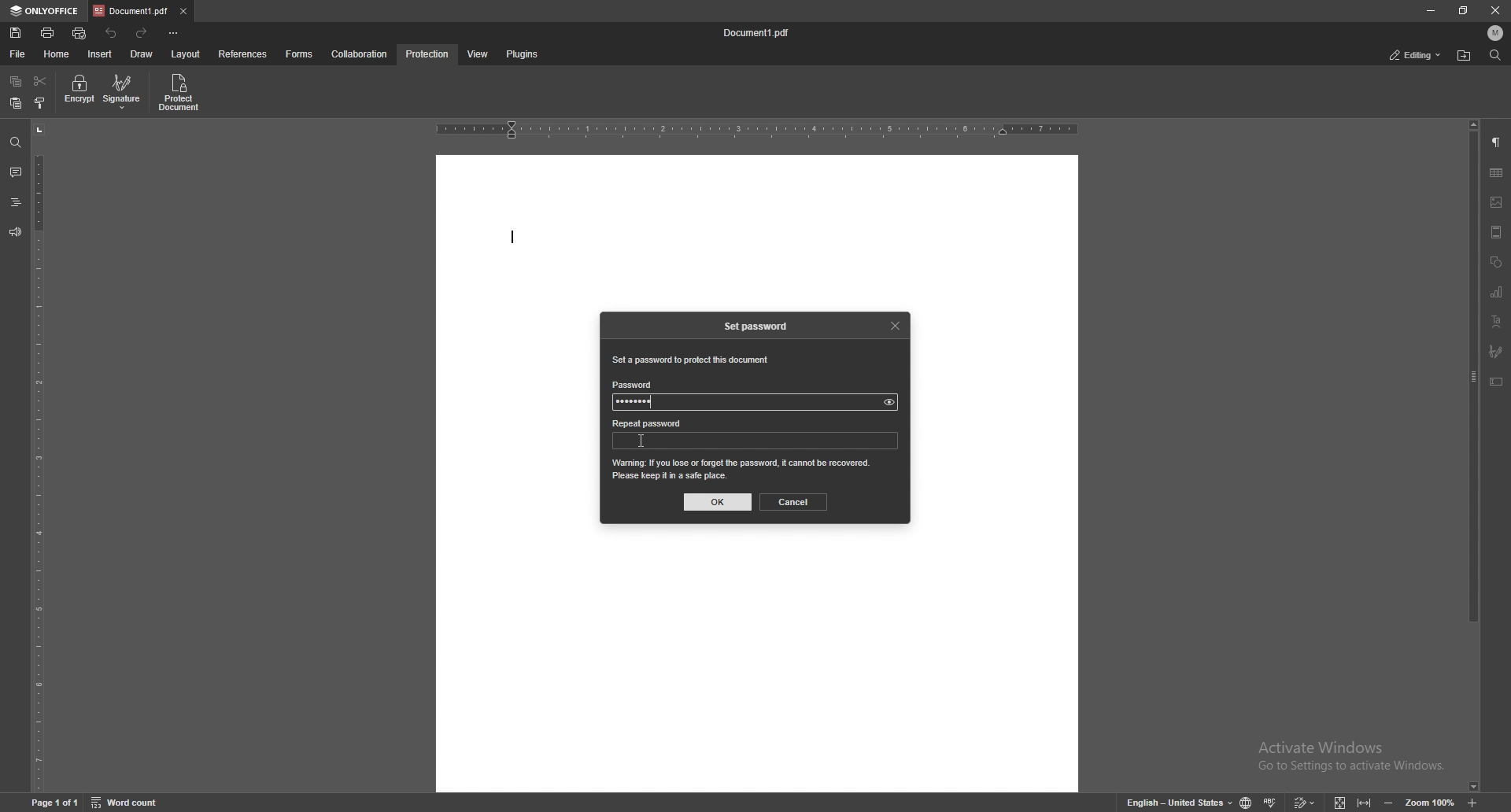 This screenshot has width=1511, height=812. What do you see at coordinates (634, 383) in the screenshot?
I see `password` at bounding box center [634, 383].